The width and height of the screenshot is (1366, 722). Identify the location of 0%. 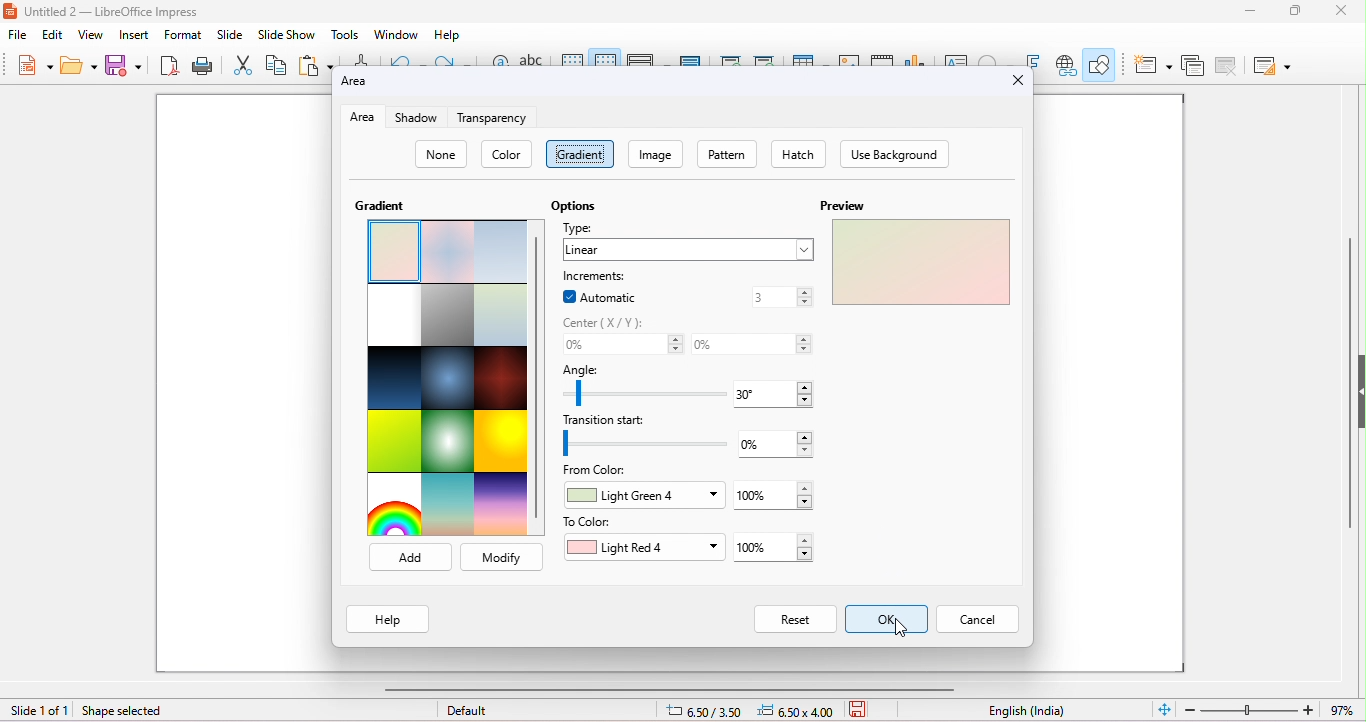
(750, 344).